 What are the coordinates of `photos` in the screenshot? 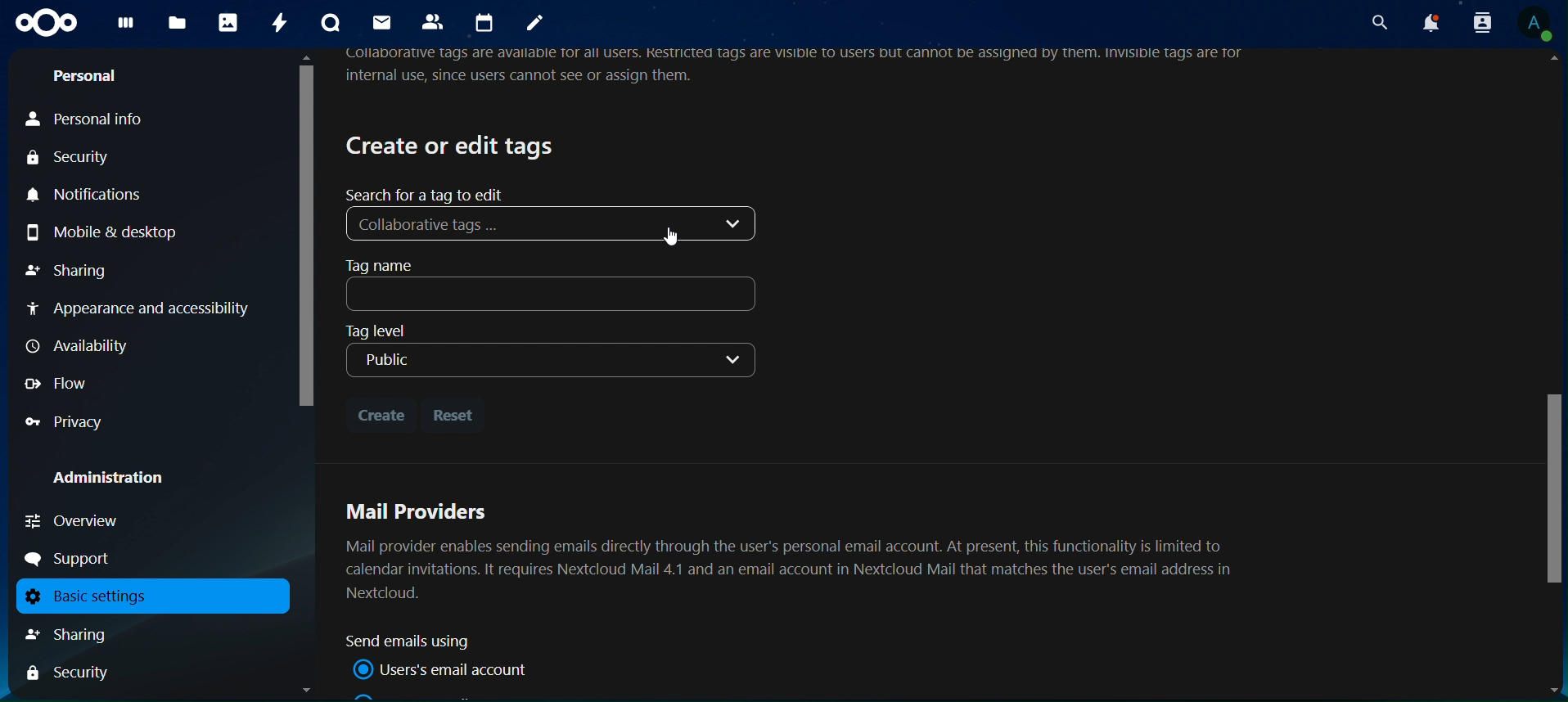 It's located at (228, 23).